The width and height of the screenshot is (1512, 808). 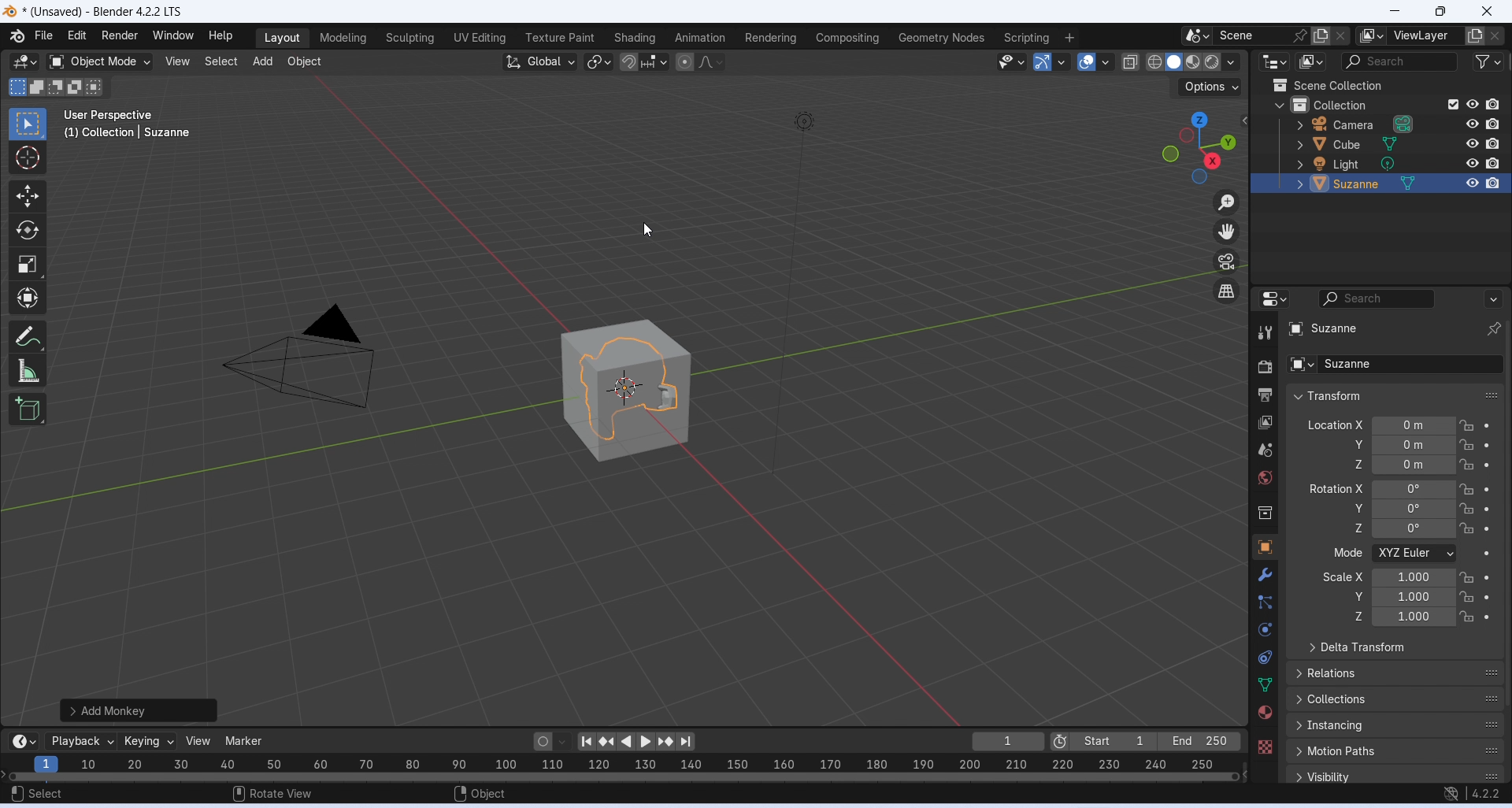 I want to click on cube layer, so click(x=1369, y=144).